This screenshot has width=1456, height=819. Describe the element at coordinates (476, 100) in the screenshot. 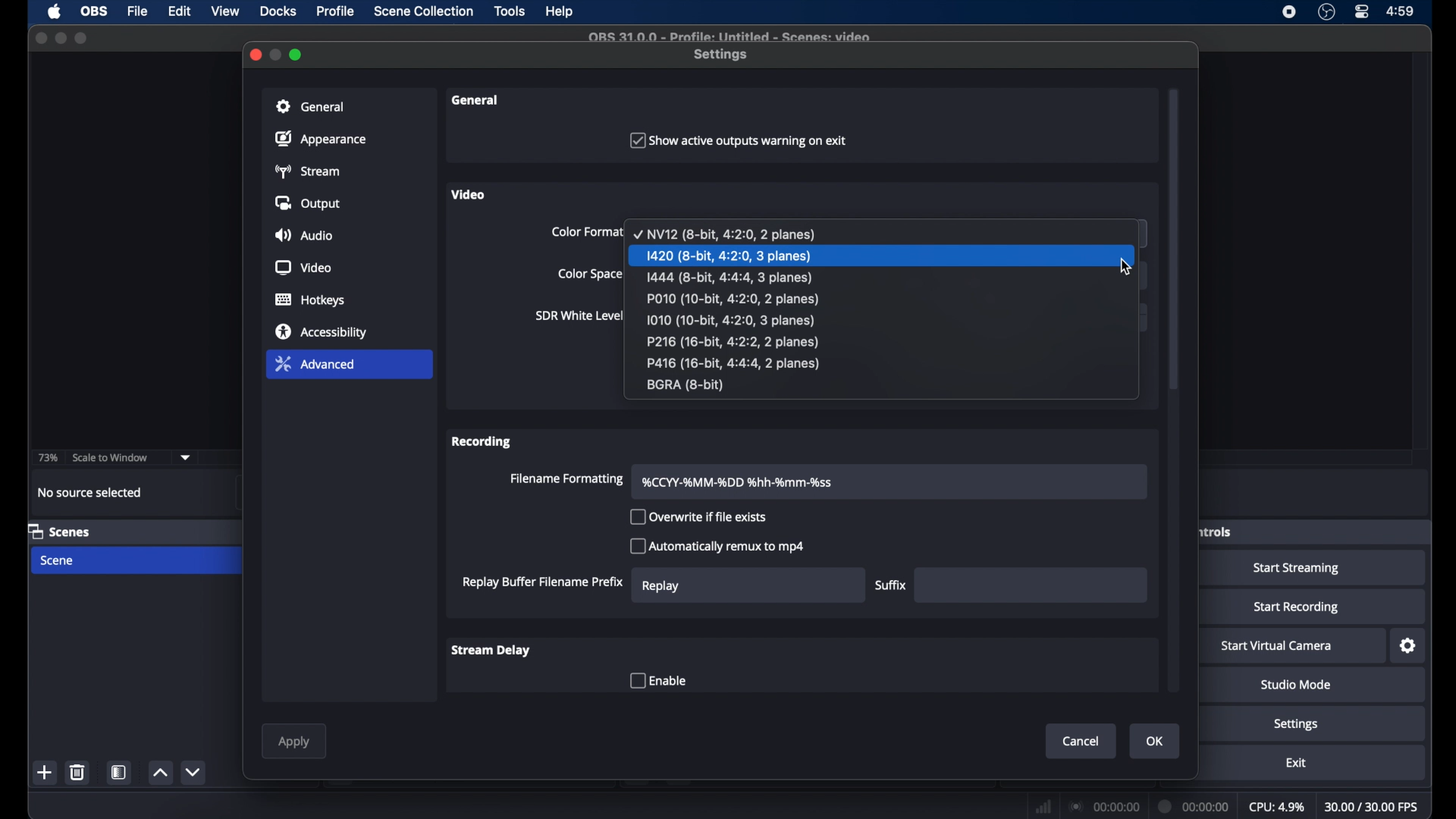

I see `general` at that location.